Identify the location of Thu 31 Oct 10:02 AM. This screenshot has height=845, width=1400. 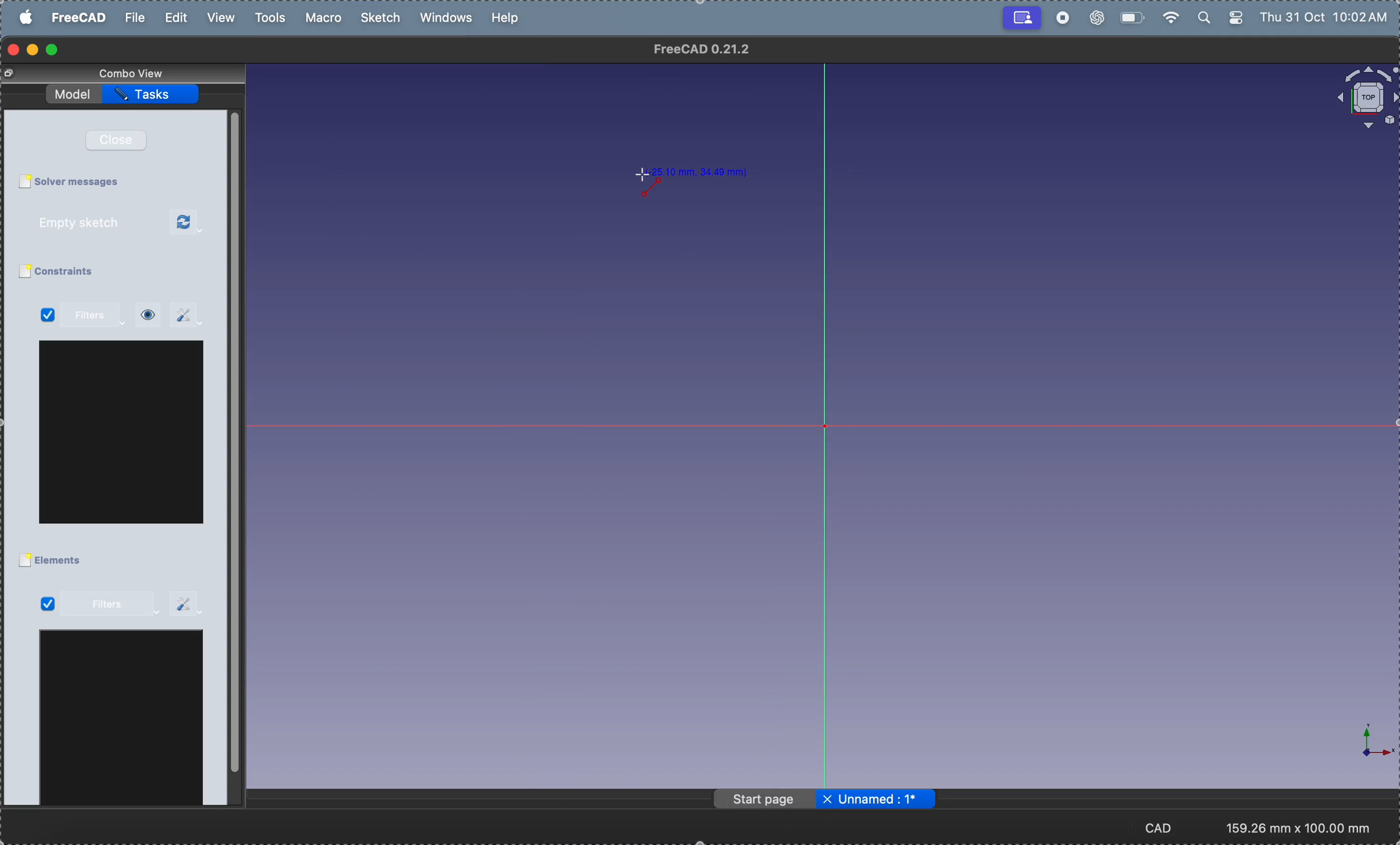
(1327, 19).